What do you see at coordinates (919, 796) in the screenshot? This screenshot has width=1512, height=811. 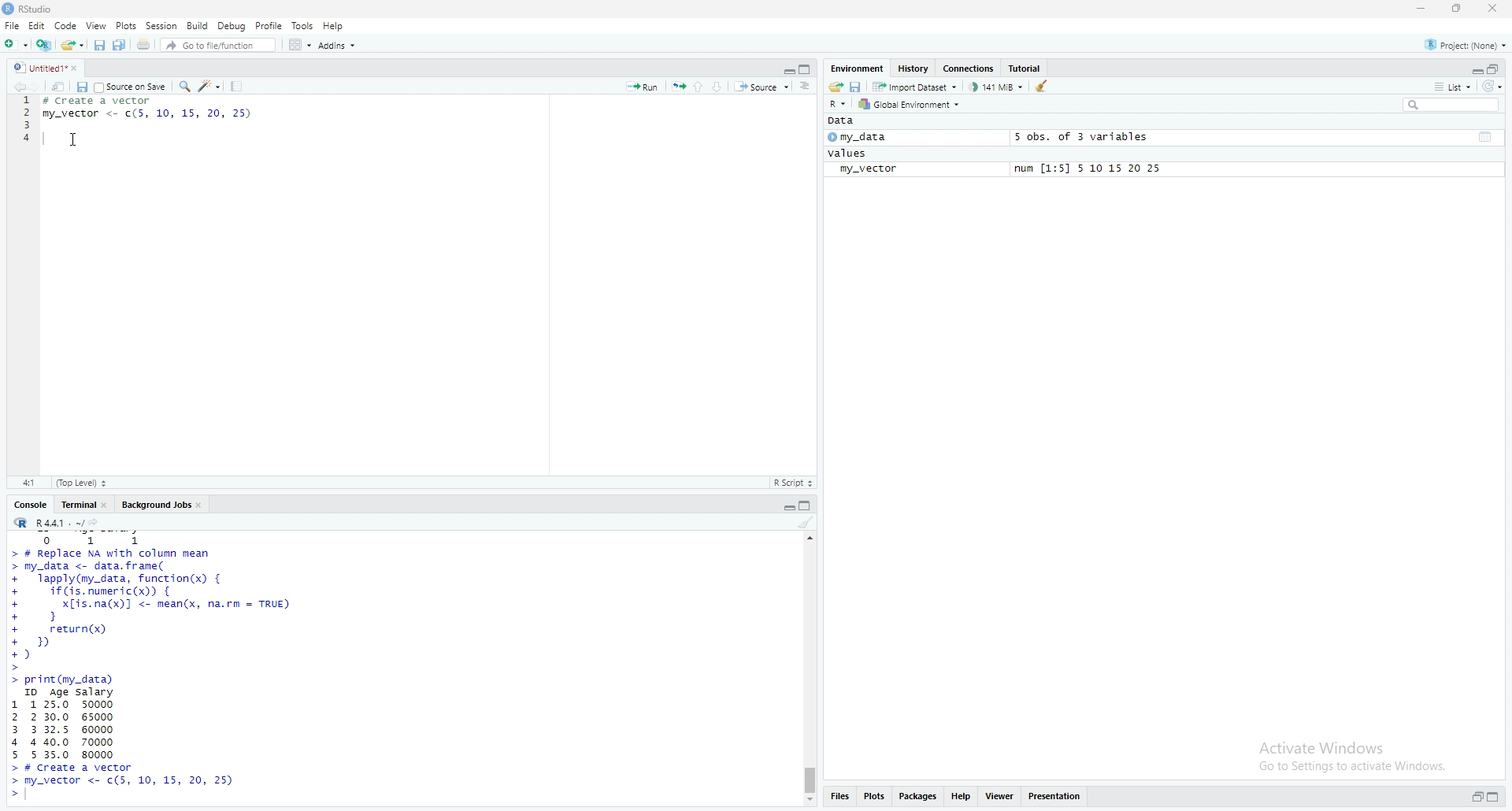 I see `packages` at bounding box center [919, 796].